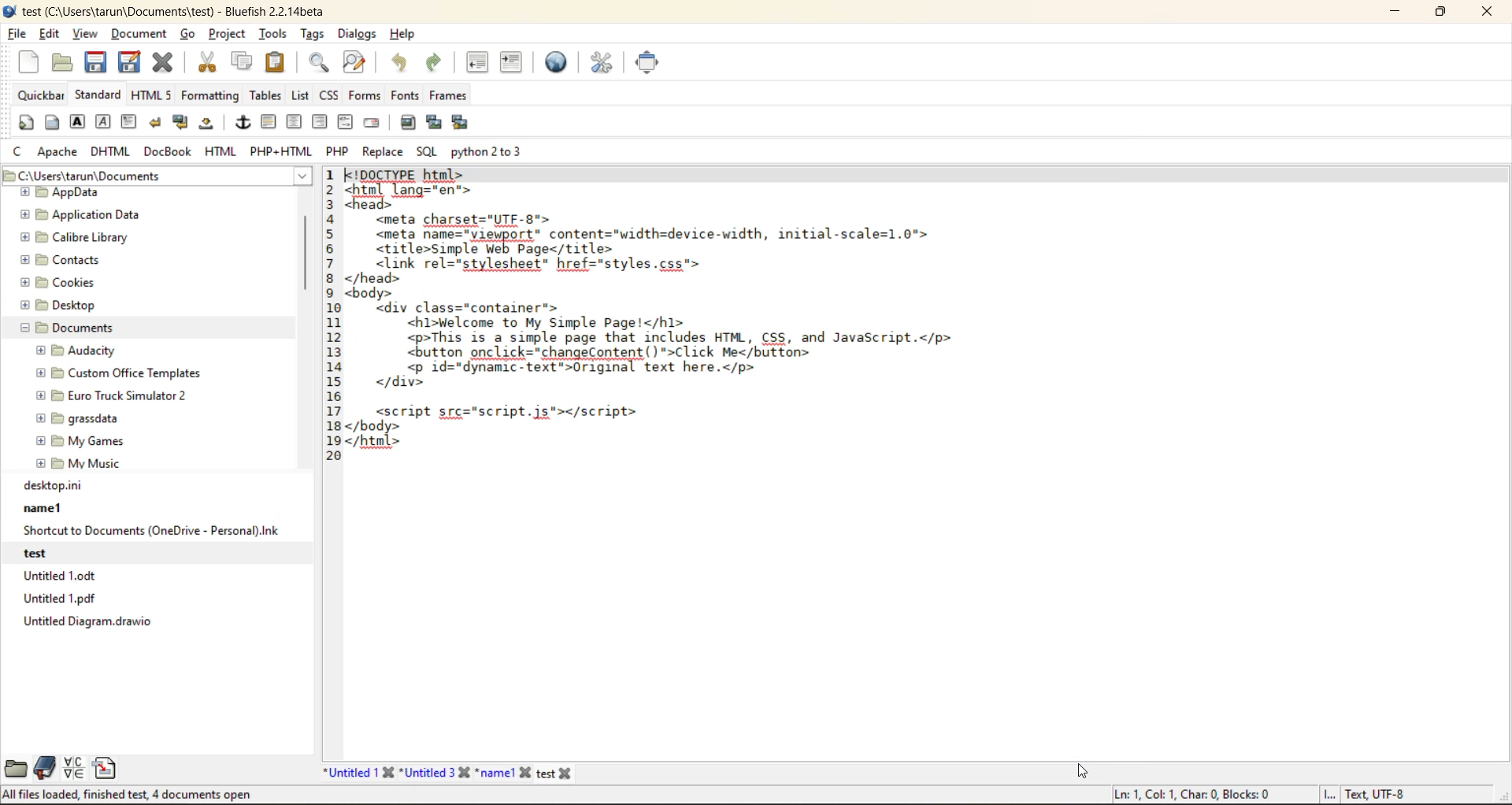 The image size is (1512, 805). Describe the element at coordinates (494, 151) in the screenshot. I see `python 2 to 3` at that location.